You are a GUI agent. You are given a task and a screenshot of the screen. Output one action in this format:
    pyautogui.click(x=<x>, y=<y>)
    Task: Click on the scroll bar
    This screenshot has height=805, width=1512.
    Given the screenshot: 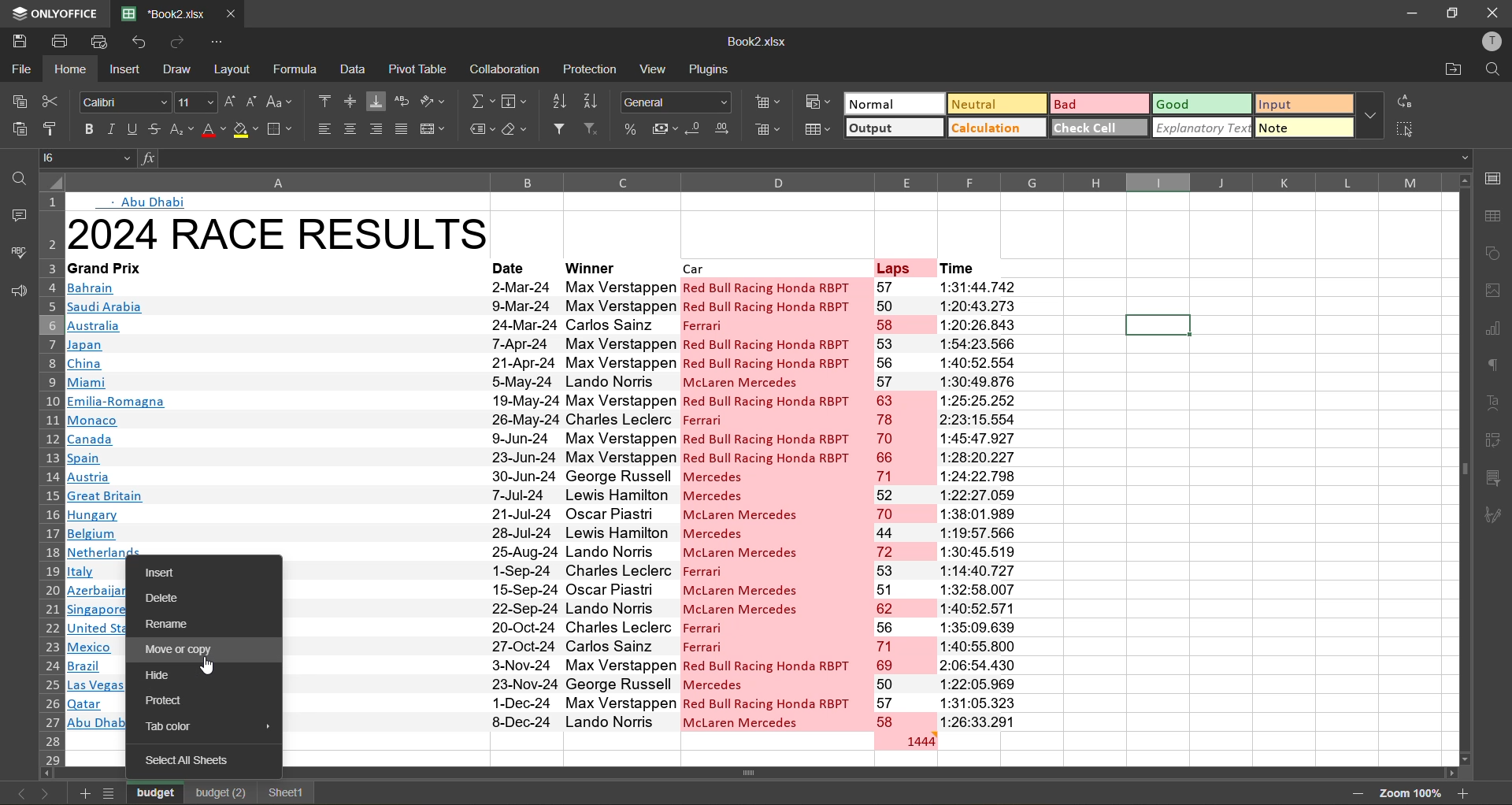 What is the action you would take?
    pyautogui.click(x=786, y=774)
    